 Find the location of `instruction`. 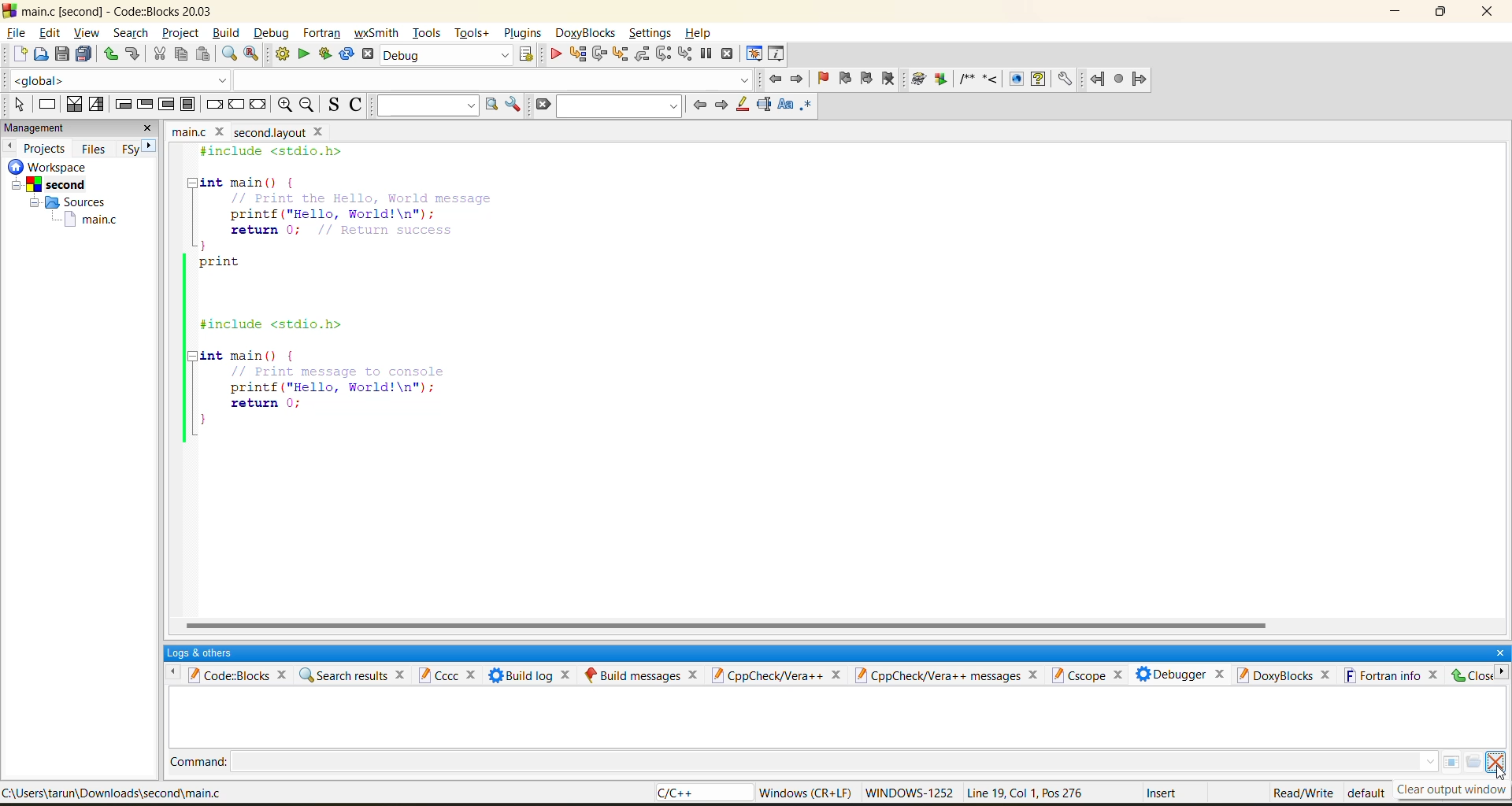

instruction is located at coordinates (46, 105).